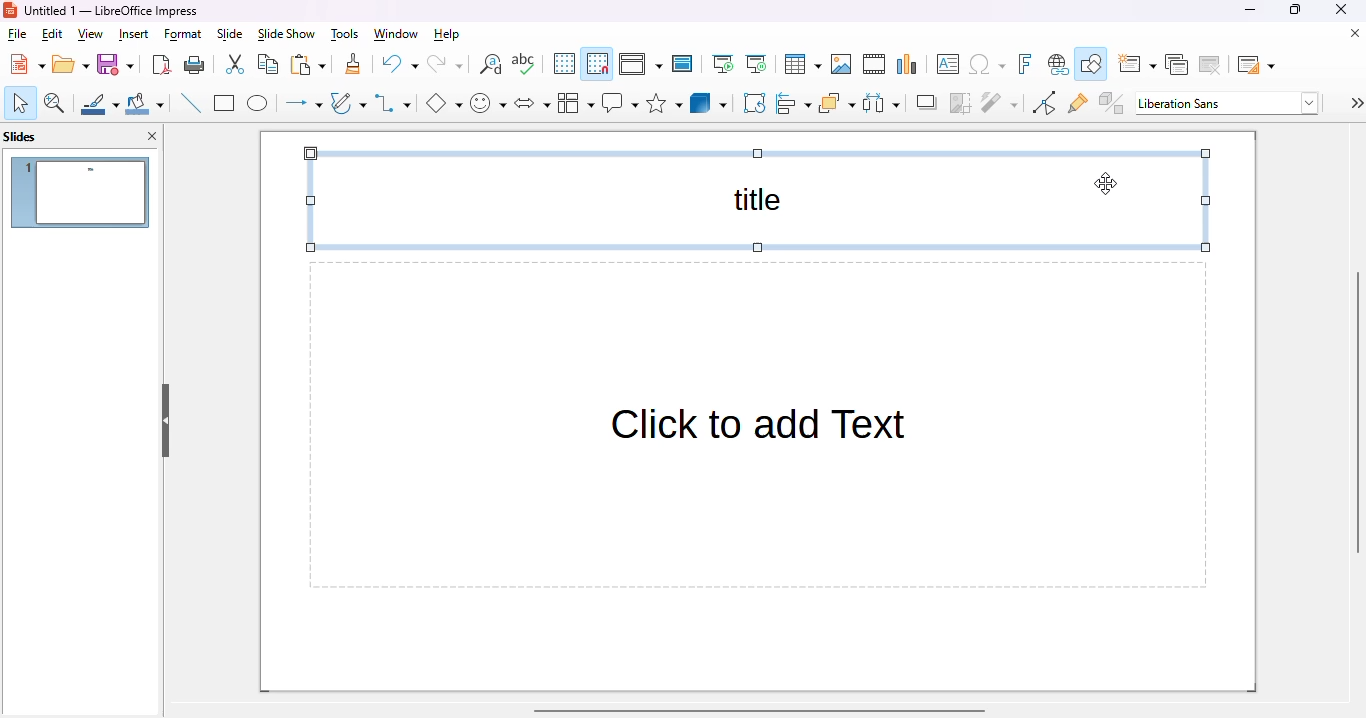 The image size is (1366, 718). Describe the element at coordinates (287, 34) in the screenshot. I see `slide show` at that location.